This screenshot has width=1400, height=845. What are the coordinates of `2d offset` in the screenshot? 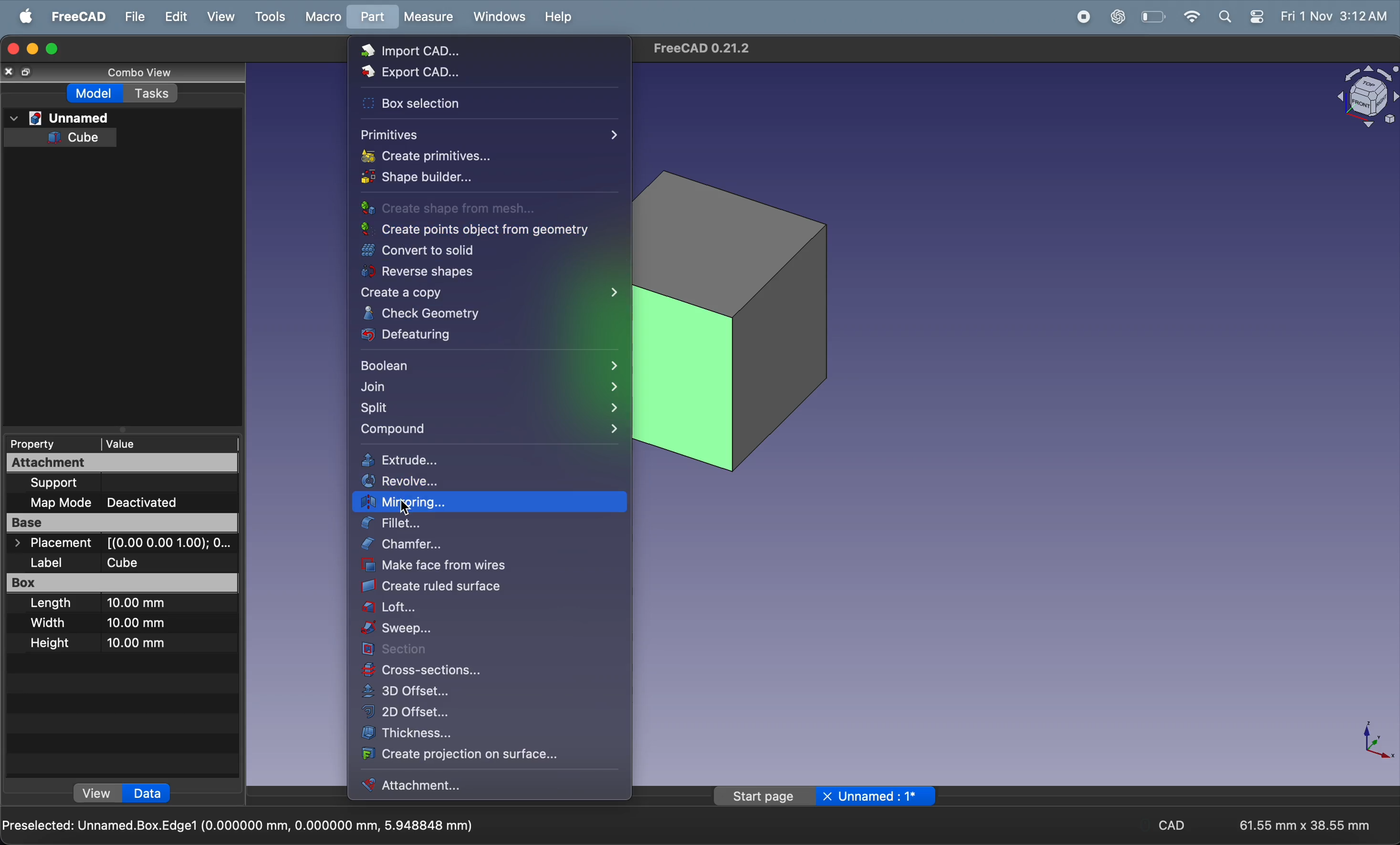 It's located at (478, 713).